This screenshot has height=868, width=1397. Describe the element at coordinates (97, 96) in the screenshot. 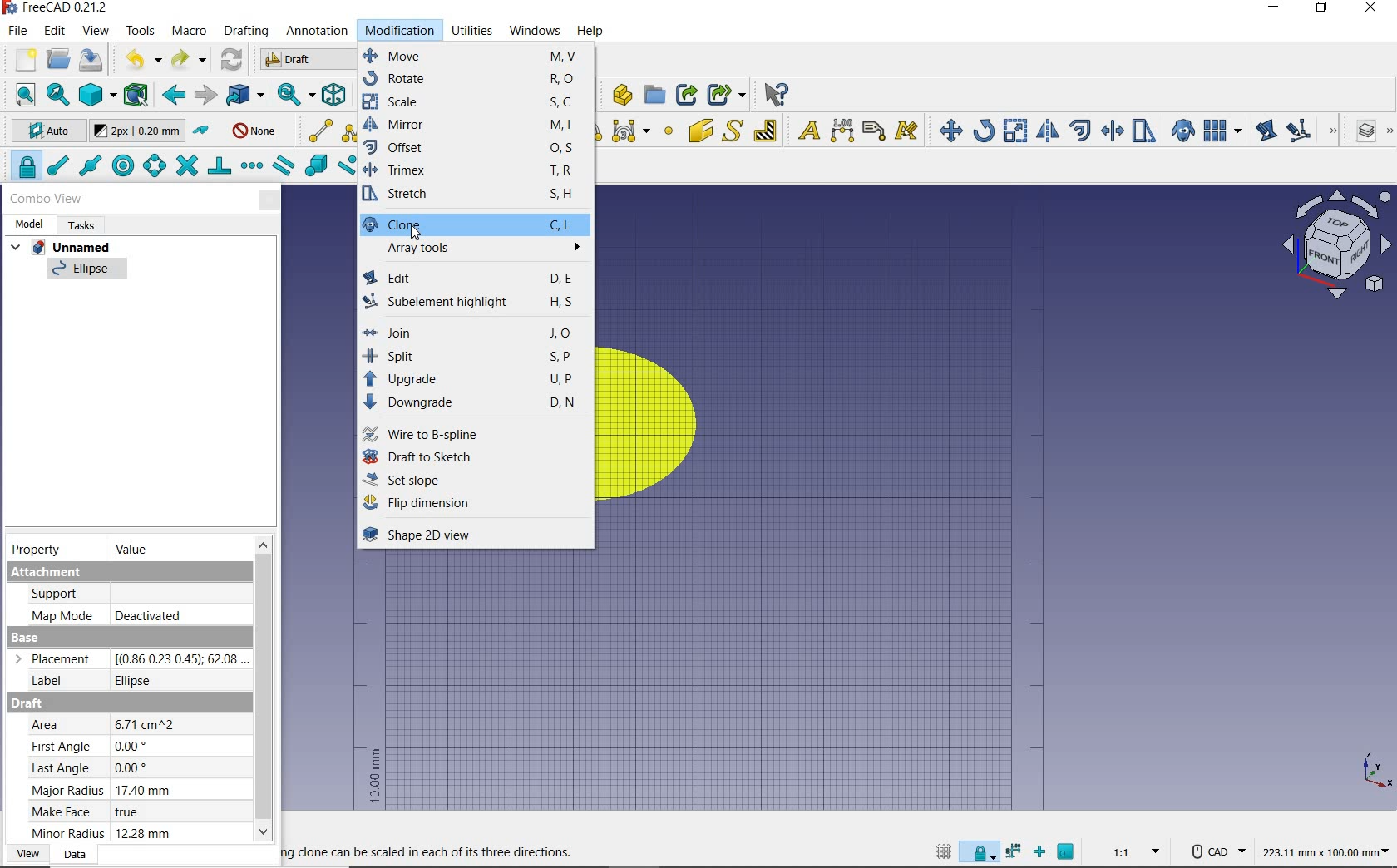

I see `orthographic view` at that location.